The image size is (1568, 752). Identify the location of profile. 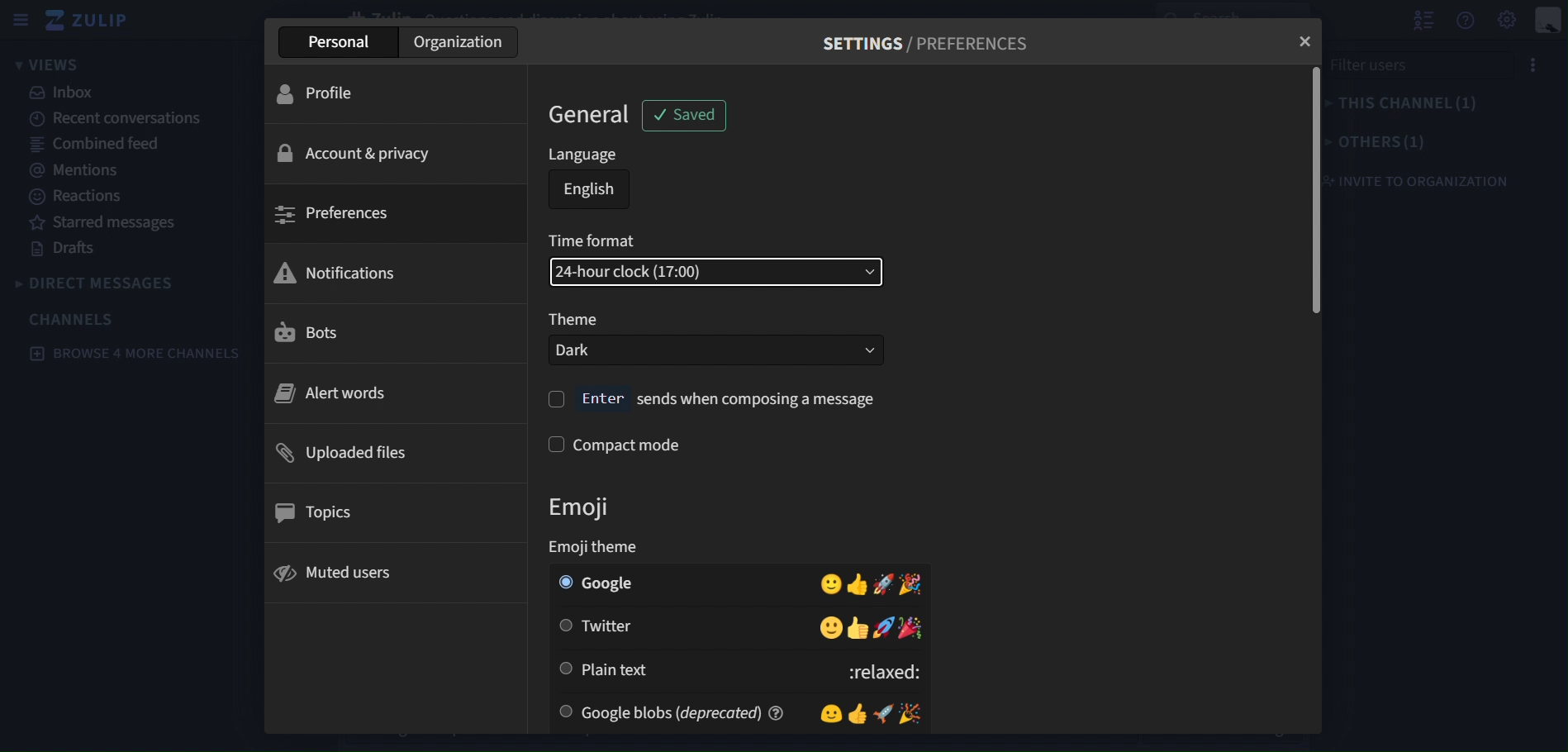
(393, 93).